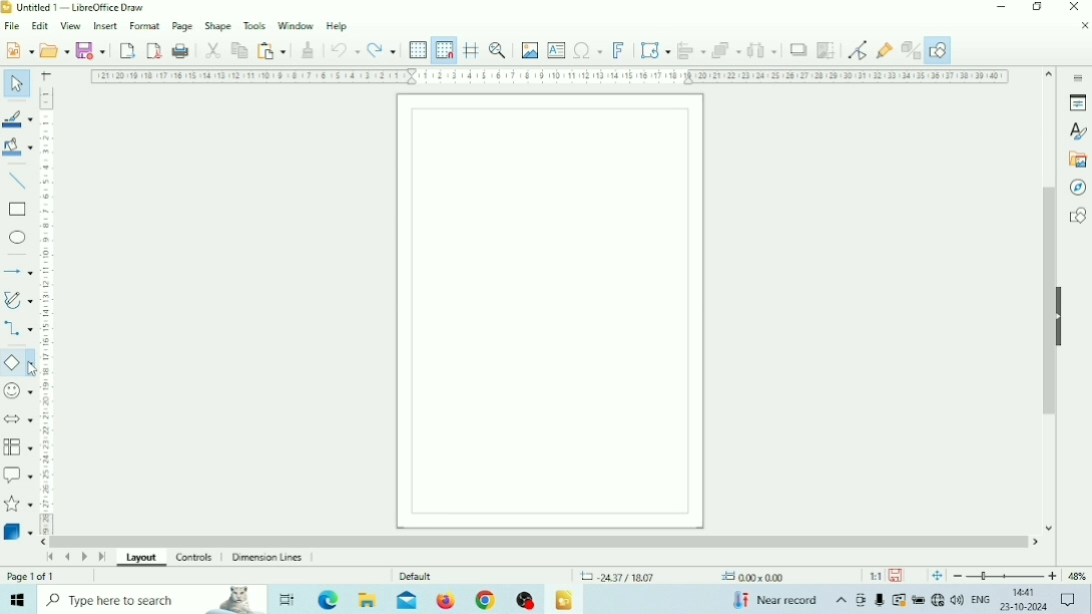 This screenshot has height=614, width=1092. I want to click on Restore Down, so click(1037, 7).